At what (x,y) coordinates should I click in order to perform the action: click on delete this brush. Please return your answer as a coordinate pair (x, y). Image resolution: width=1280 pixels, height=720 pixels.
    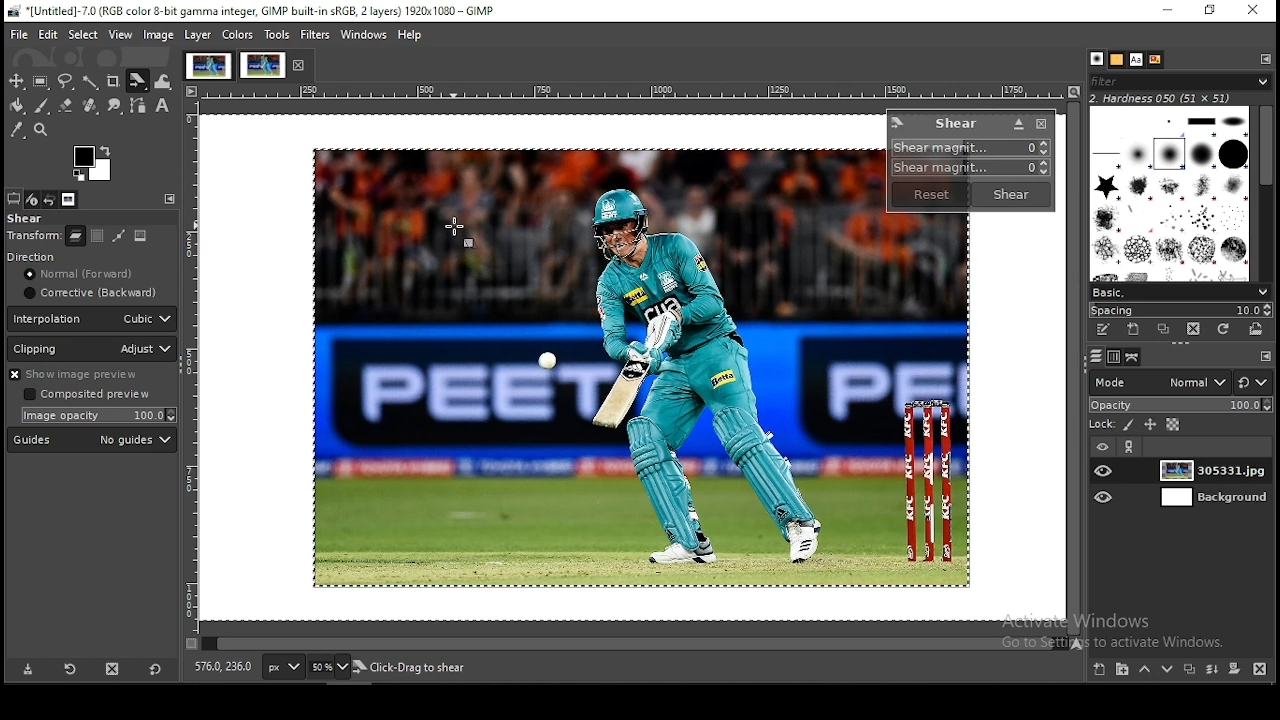
    Looking at the image, I should click on (1193, 329).